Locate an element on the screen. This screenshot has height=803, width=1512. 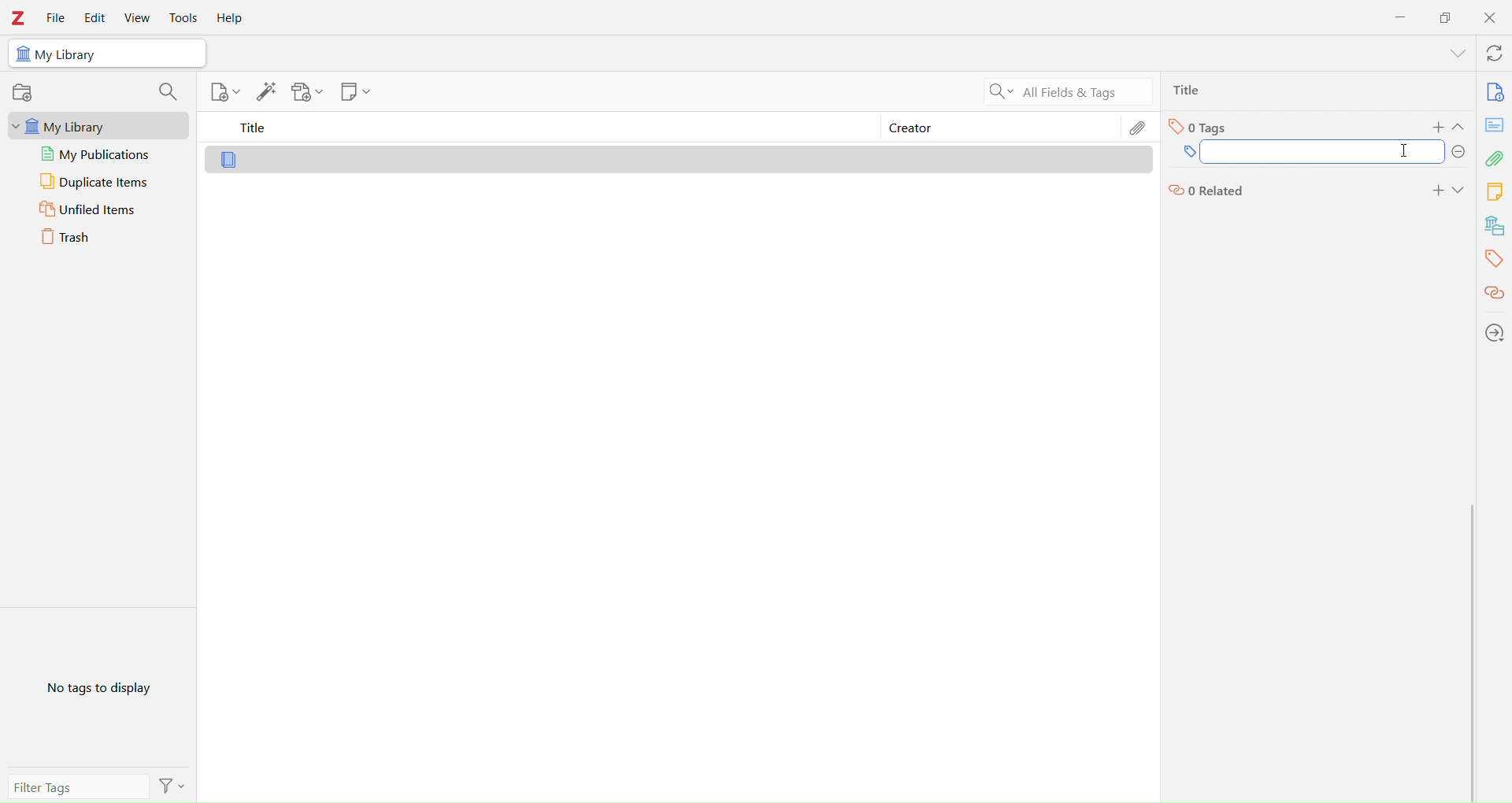
filter tags is located at coordinates (93, 784).